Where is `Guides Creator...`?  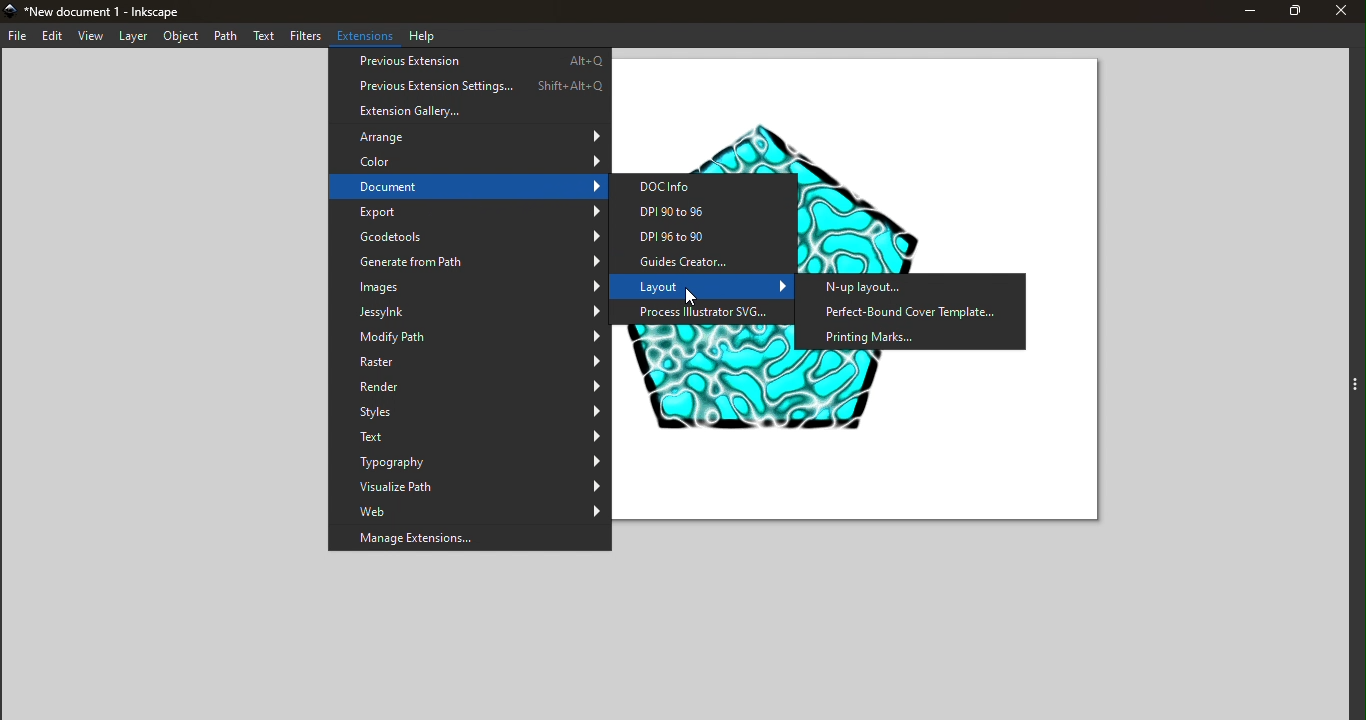
Guides Creator... is located at coordinates (707, 263).